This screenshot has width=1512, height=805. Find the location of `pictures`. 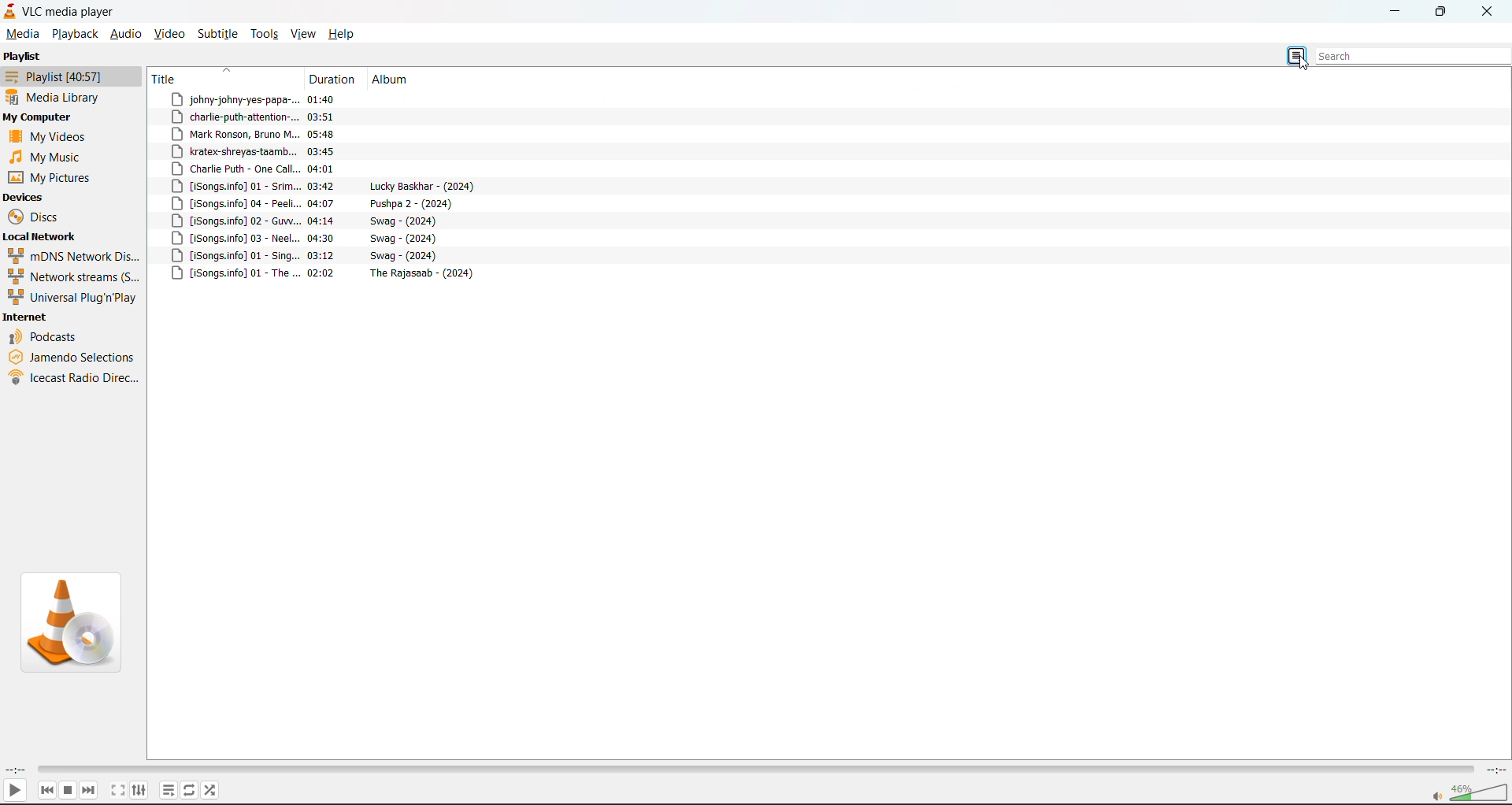

pictures is located at coordinates (56, 180).